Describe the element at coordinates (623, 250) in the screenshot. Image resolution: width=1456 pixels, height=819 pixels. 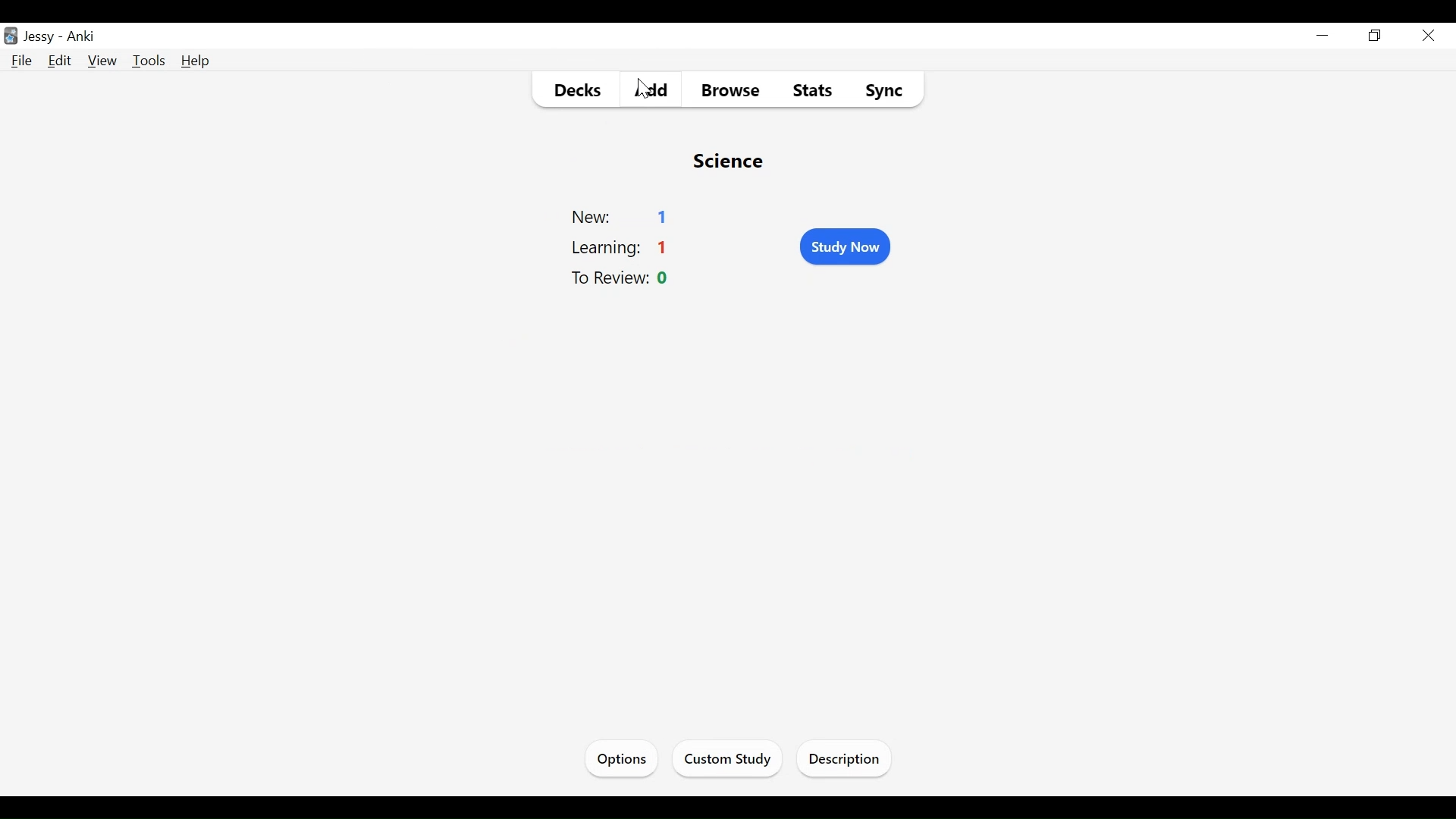
I see `Learning Count` at that location.